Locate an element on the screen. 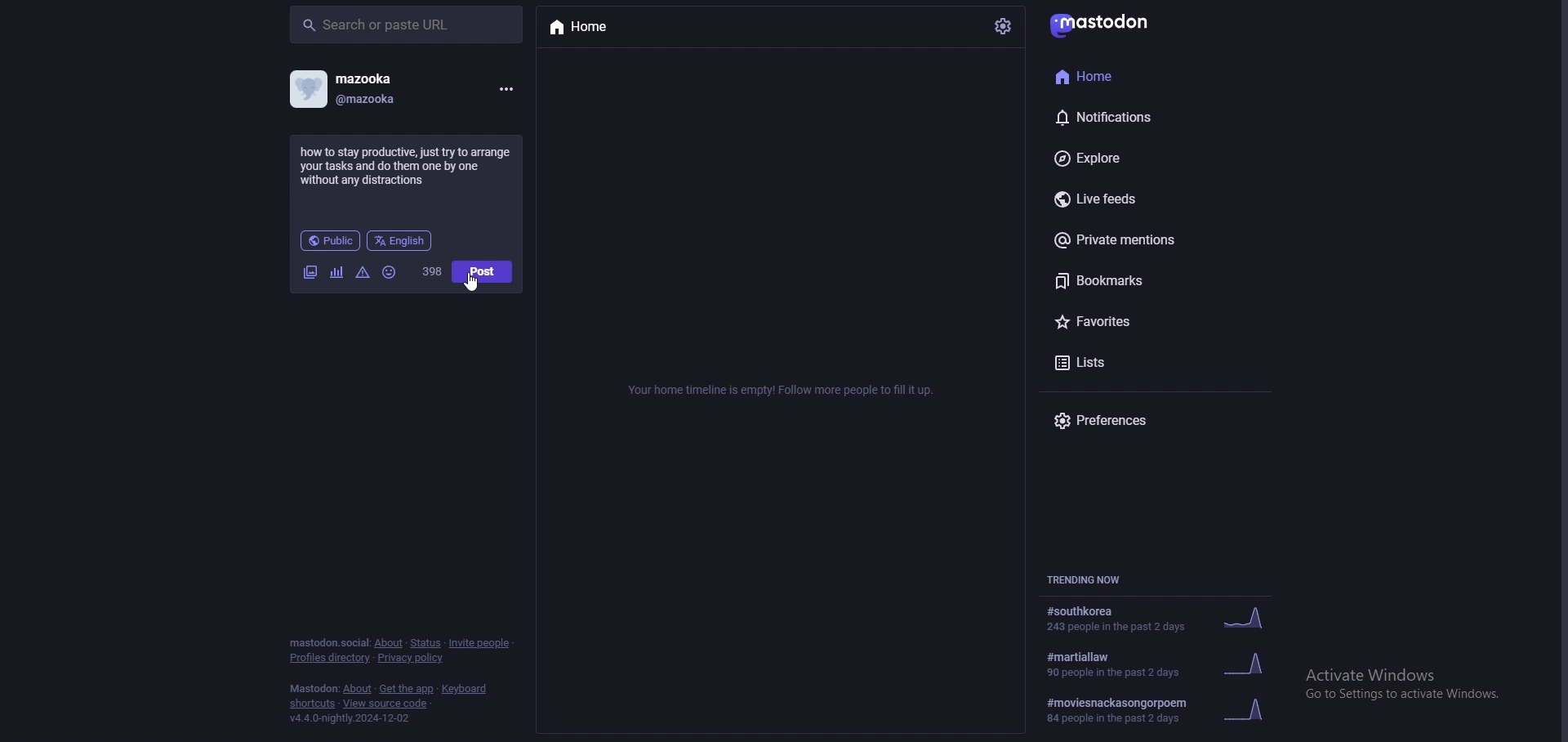 The height and width of the screenshot is (742, 1568). favorites is located at coordinates (1131, 322).